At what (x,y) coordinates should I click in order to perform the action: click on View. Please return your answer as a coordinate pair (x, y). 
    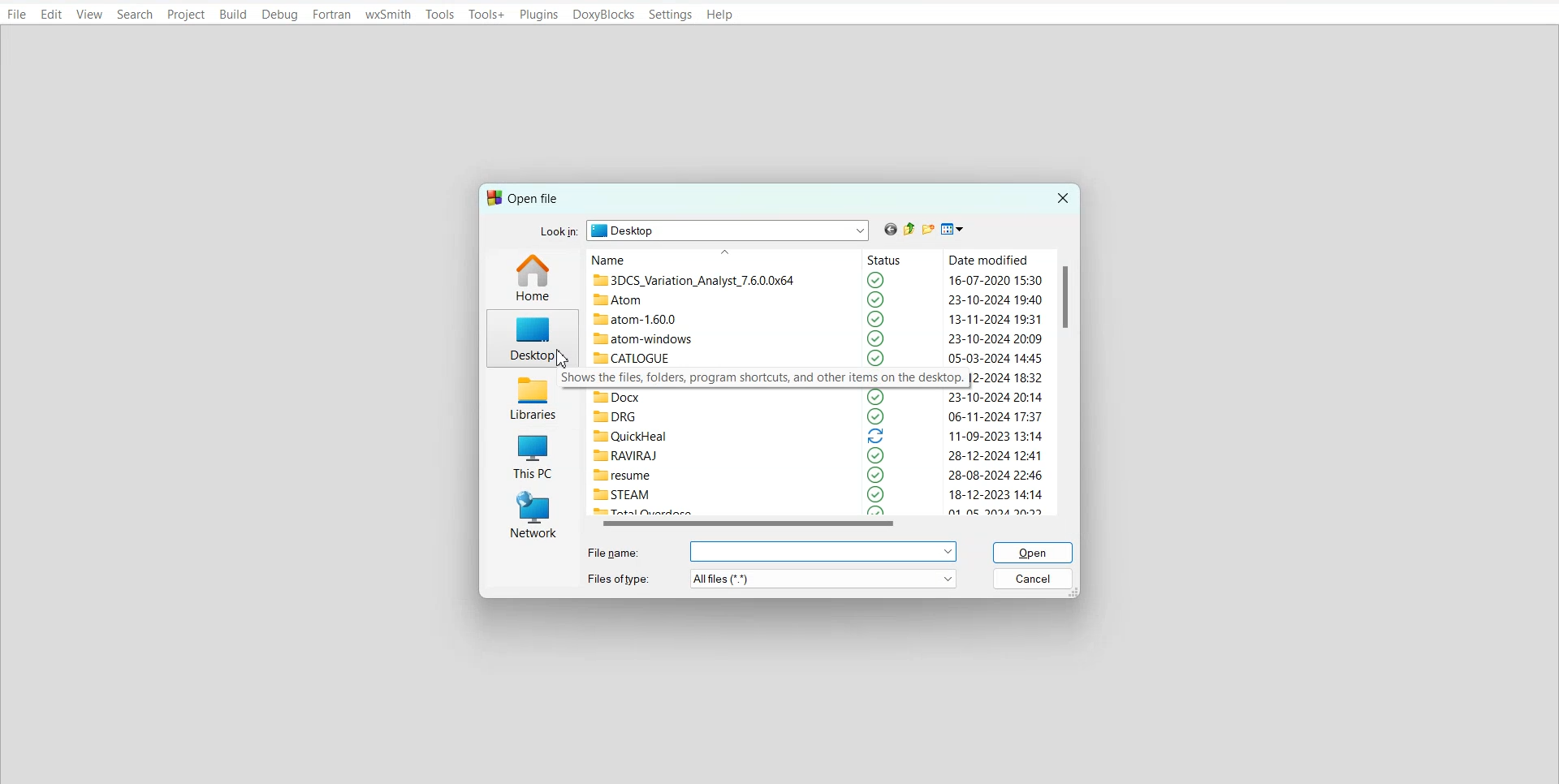
    Looking at the image, I should click on (90, 14).